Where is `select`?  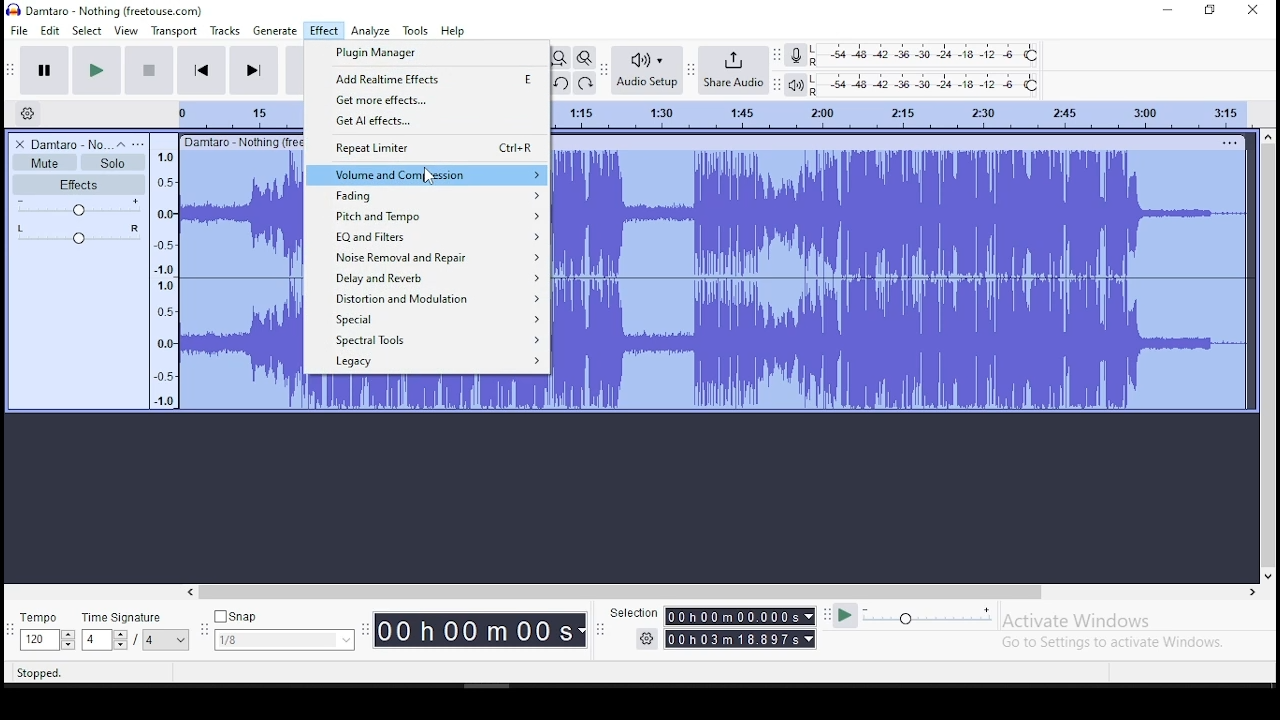
select is located at coordinates (87, 30).